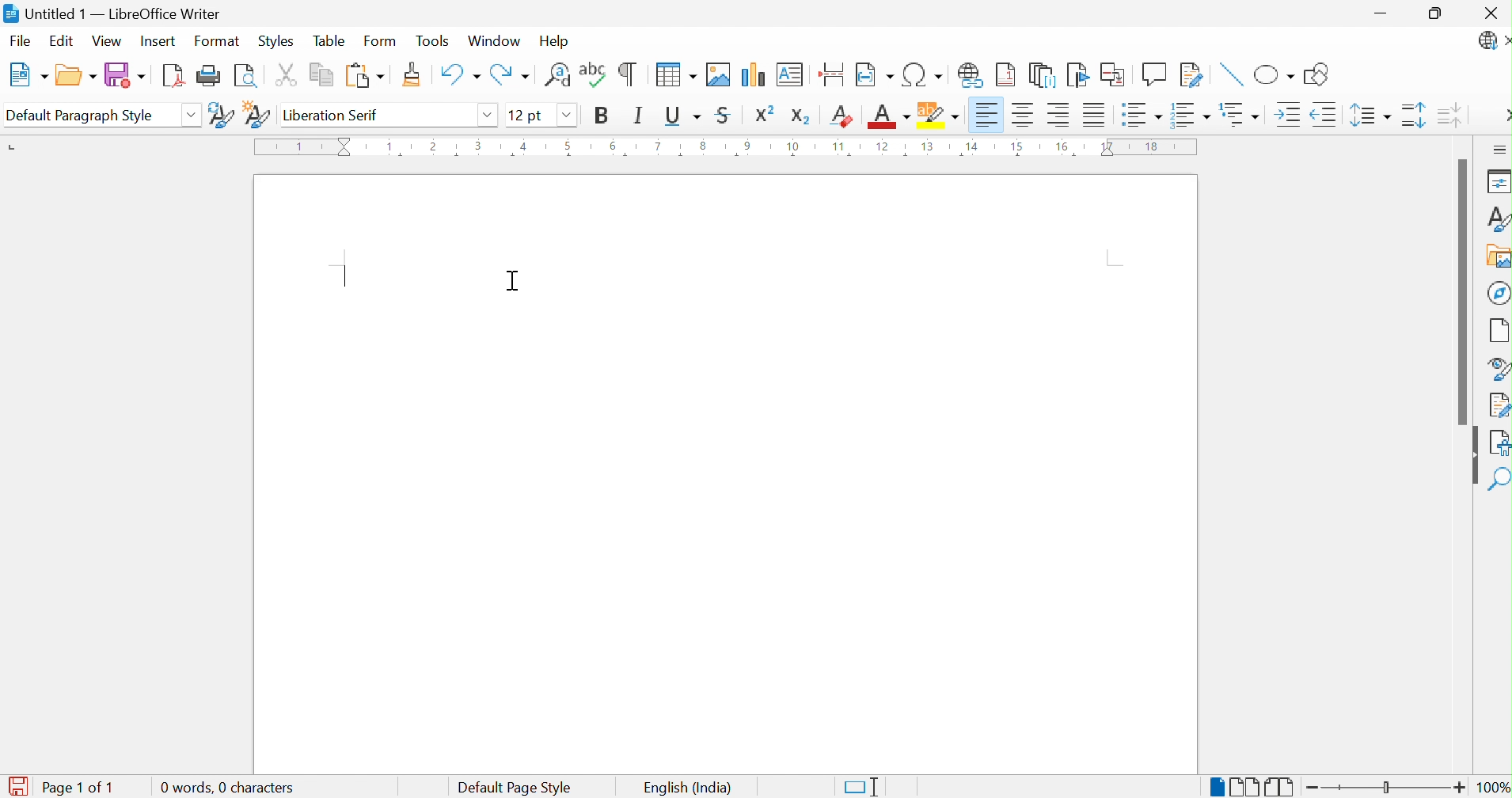 This screenshot has width=1512, height=798. What do you see at coordinates (891, 118) in the screenshot?
I see `Font Color` at bounding box center [891, 118].